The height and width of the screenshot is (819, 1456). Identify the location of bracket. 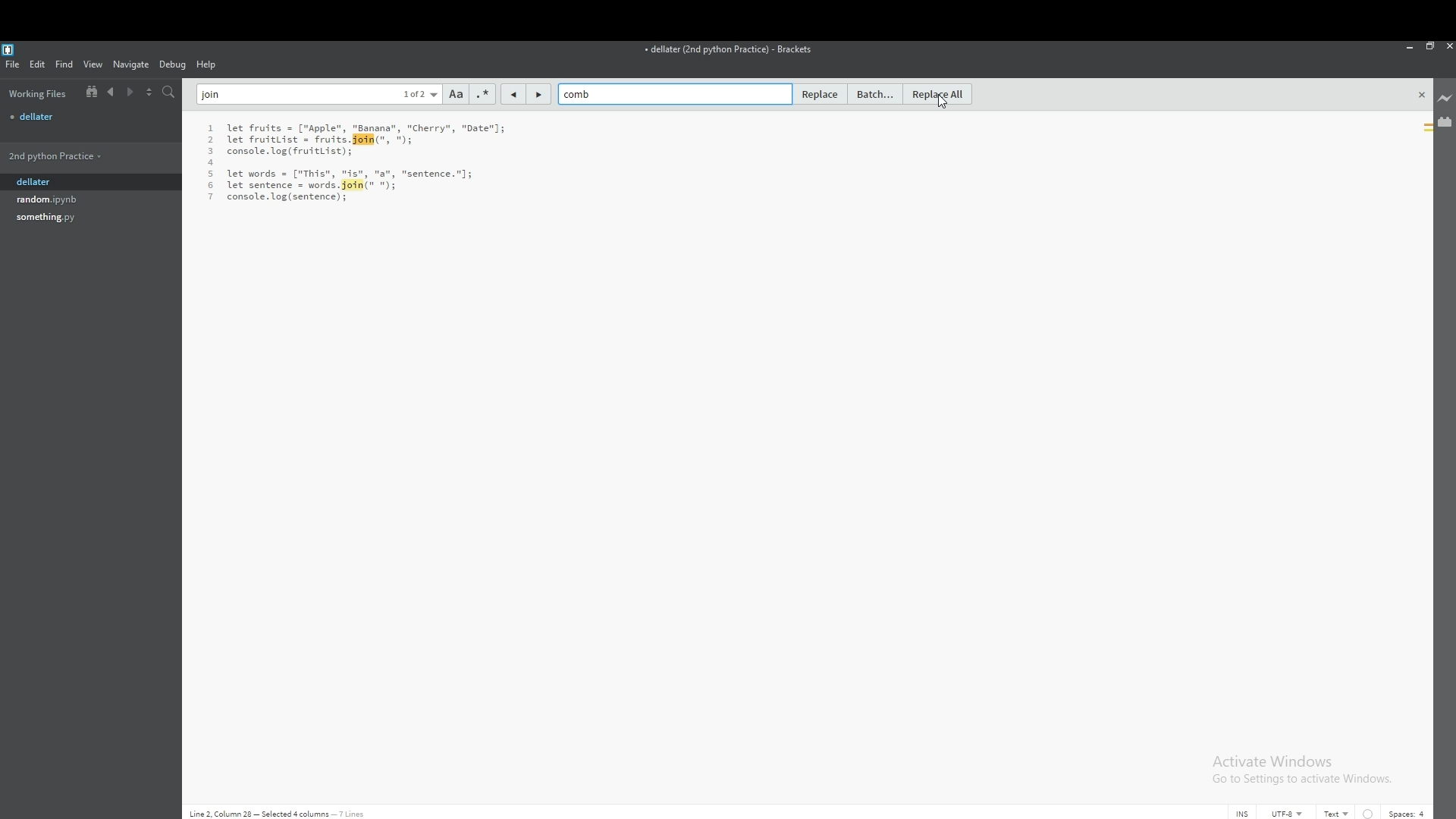
(11, 49).